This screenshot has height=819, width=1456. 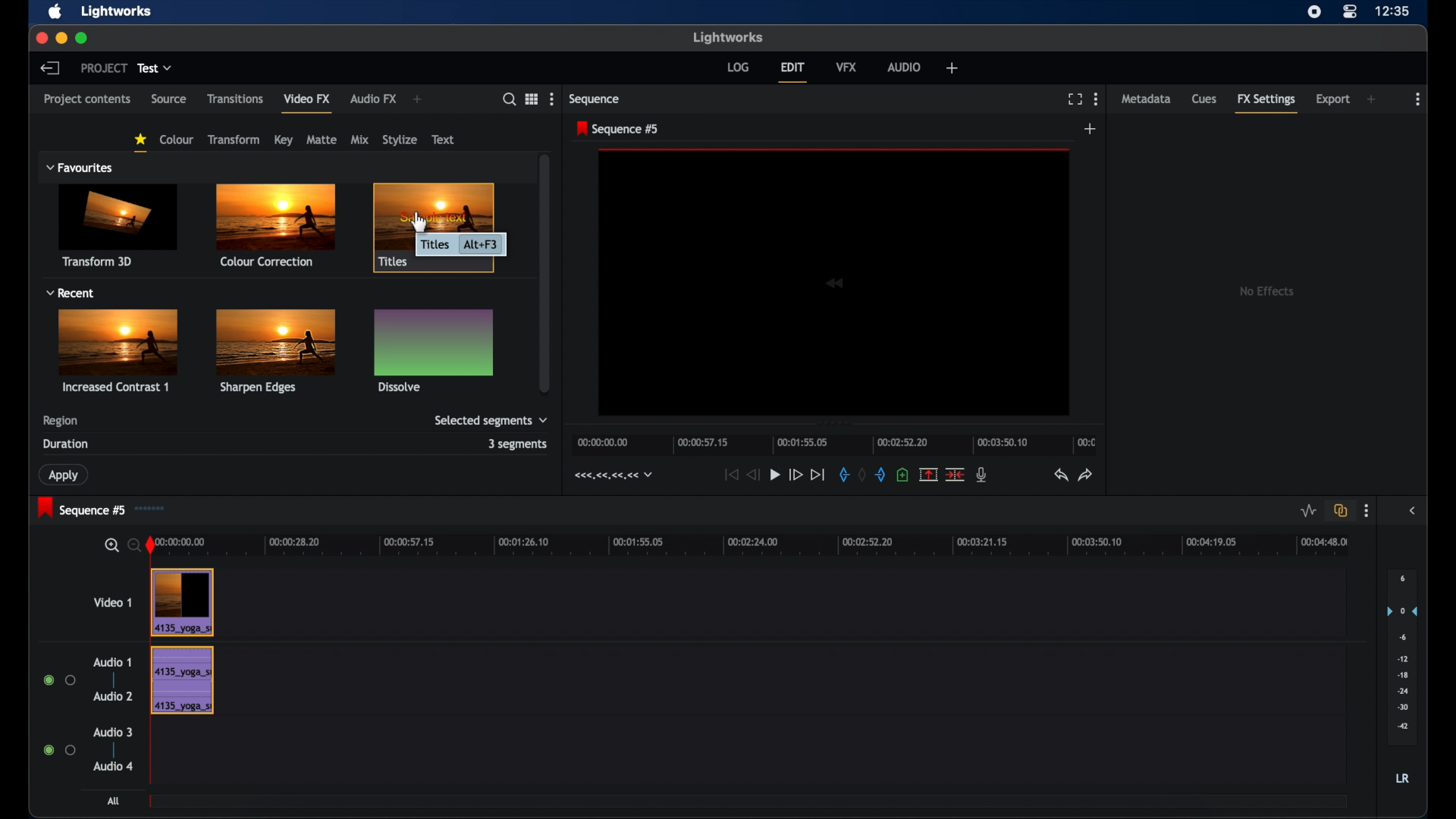 I want to click on add, so click(x=1091, y=130).